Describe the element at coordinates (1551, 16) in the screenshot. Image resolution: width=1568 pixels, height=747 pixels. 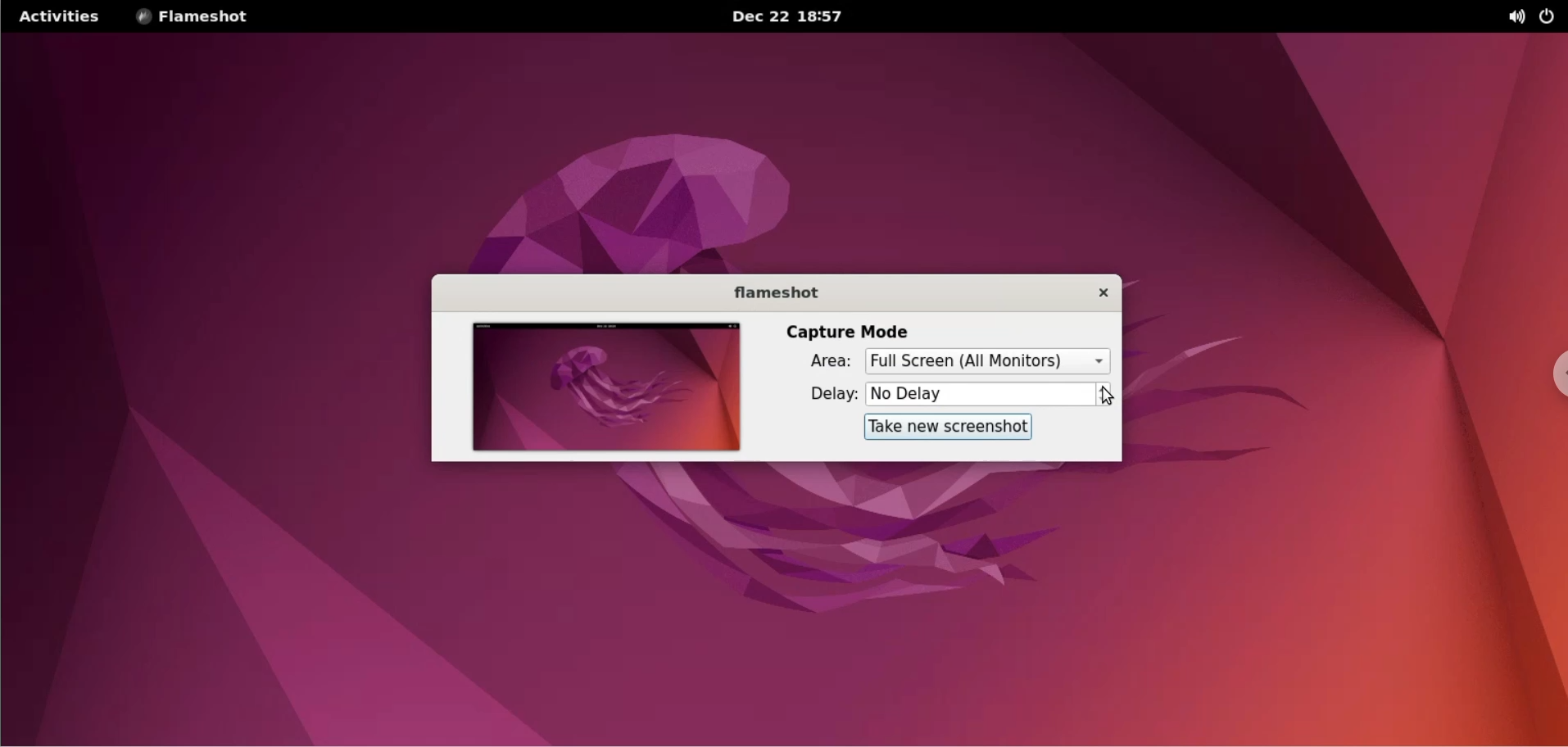
I see `power options ` at that location.